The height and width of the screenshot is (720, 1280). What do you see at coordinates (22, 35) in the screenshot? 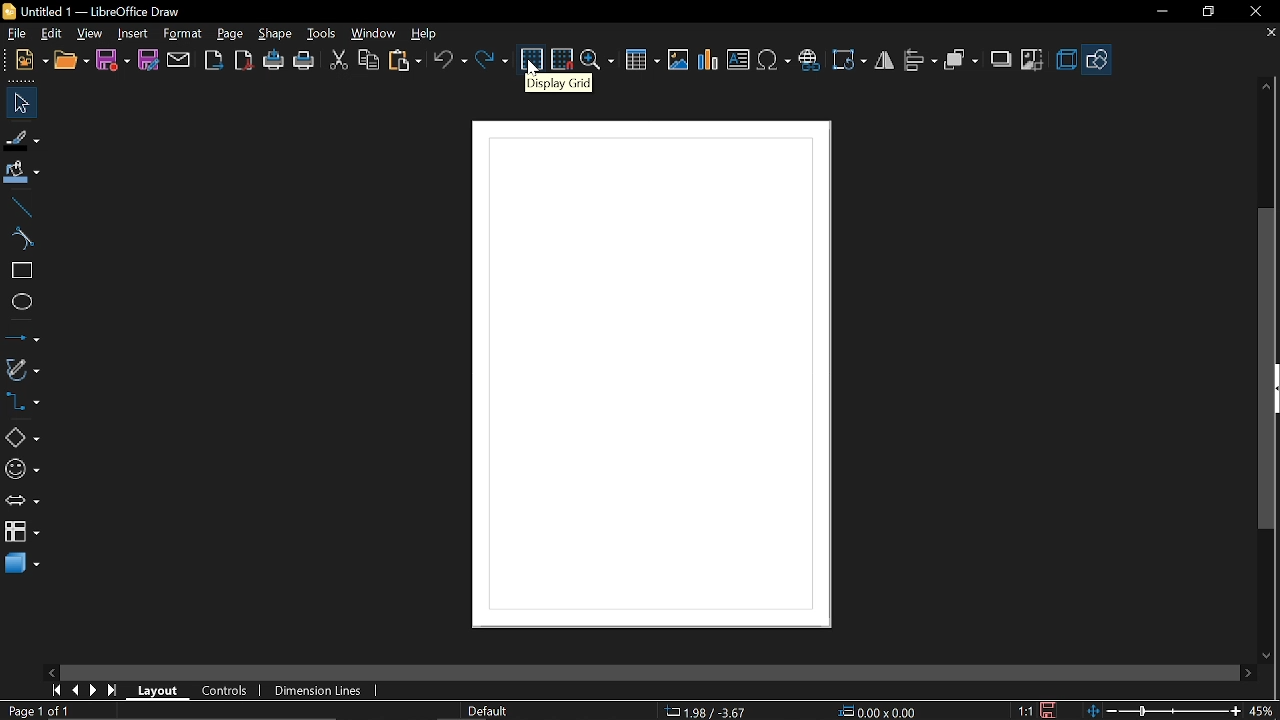
I see `file` at bounding box center [22, 35].